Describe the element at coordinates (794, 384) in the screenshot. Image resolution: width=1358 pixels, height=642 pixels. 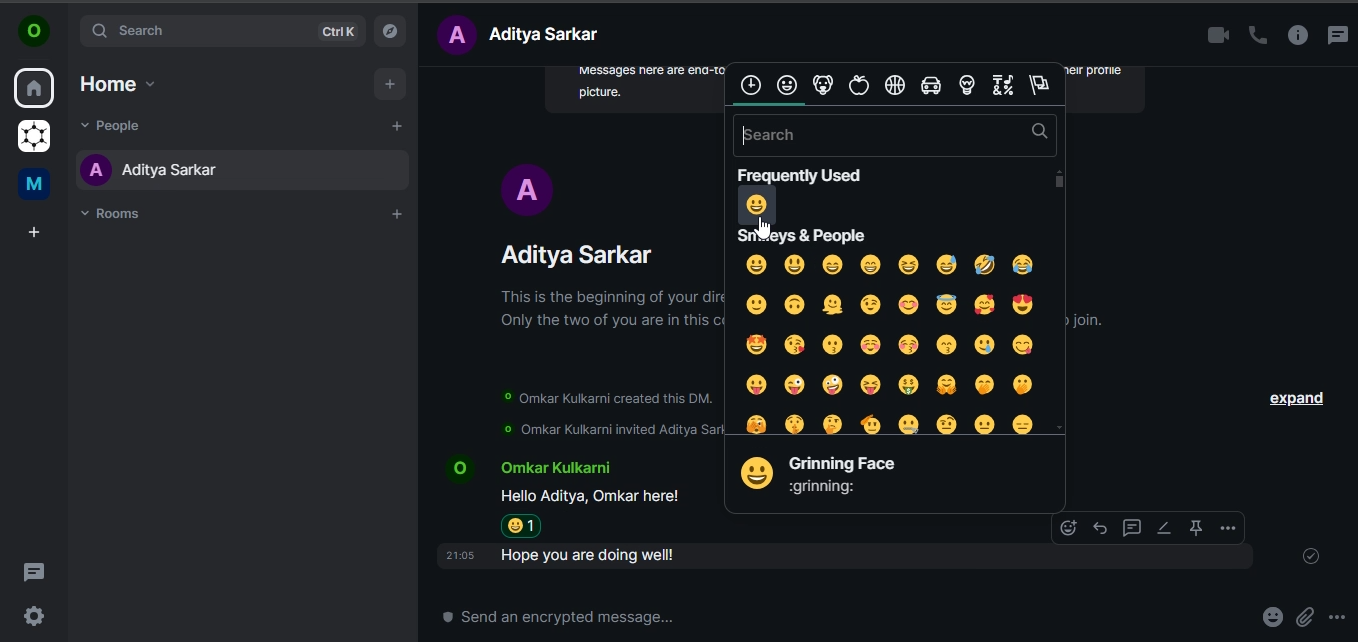
I see `winking face with tongue` at that location.